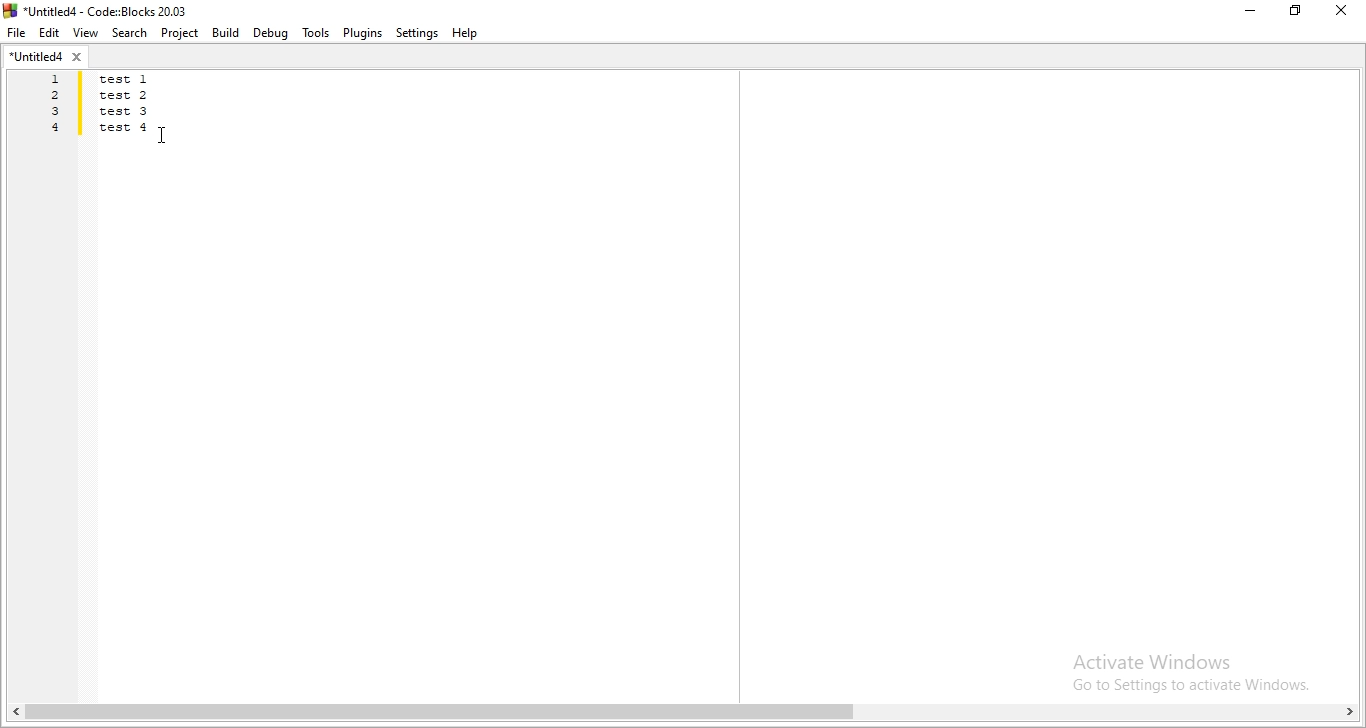 This screenshot has height=728, width=1366. I want to click on test 4, so click(126, 127).